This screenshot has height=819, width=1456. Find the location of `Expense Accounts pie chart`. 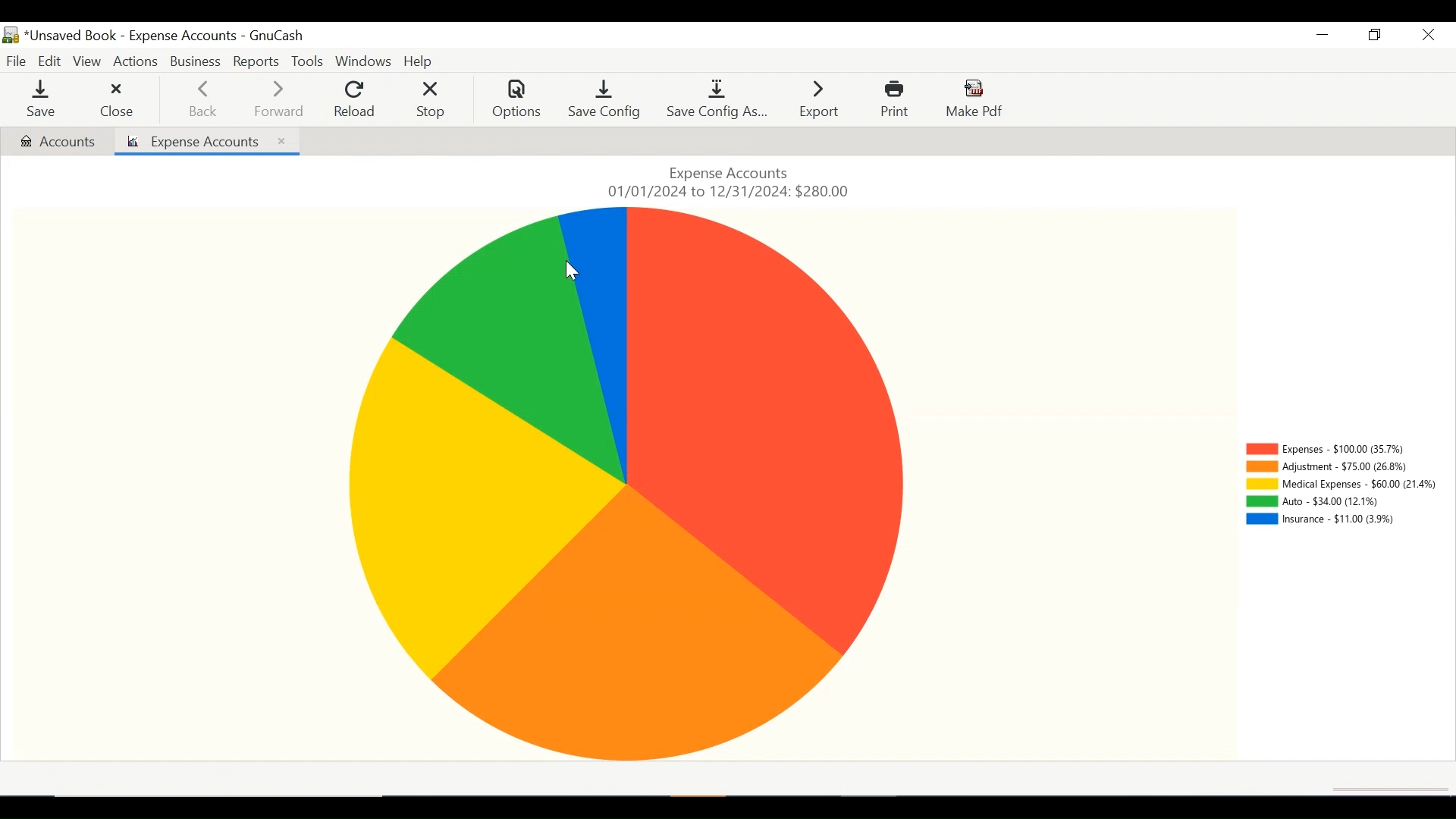

Expense Accounts pie chart is located at coordinates (730, 460).